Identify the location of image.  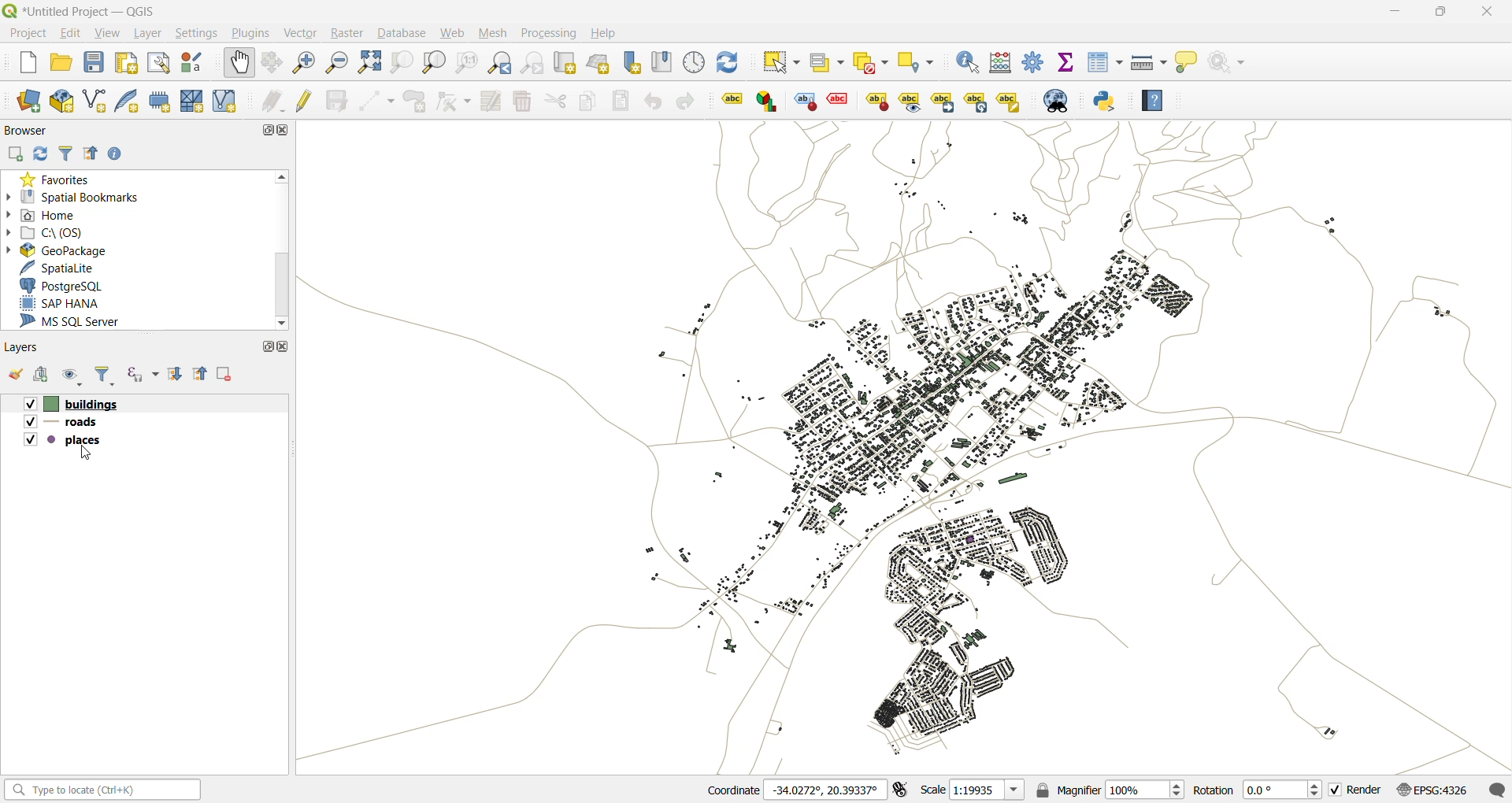
(941, 447).